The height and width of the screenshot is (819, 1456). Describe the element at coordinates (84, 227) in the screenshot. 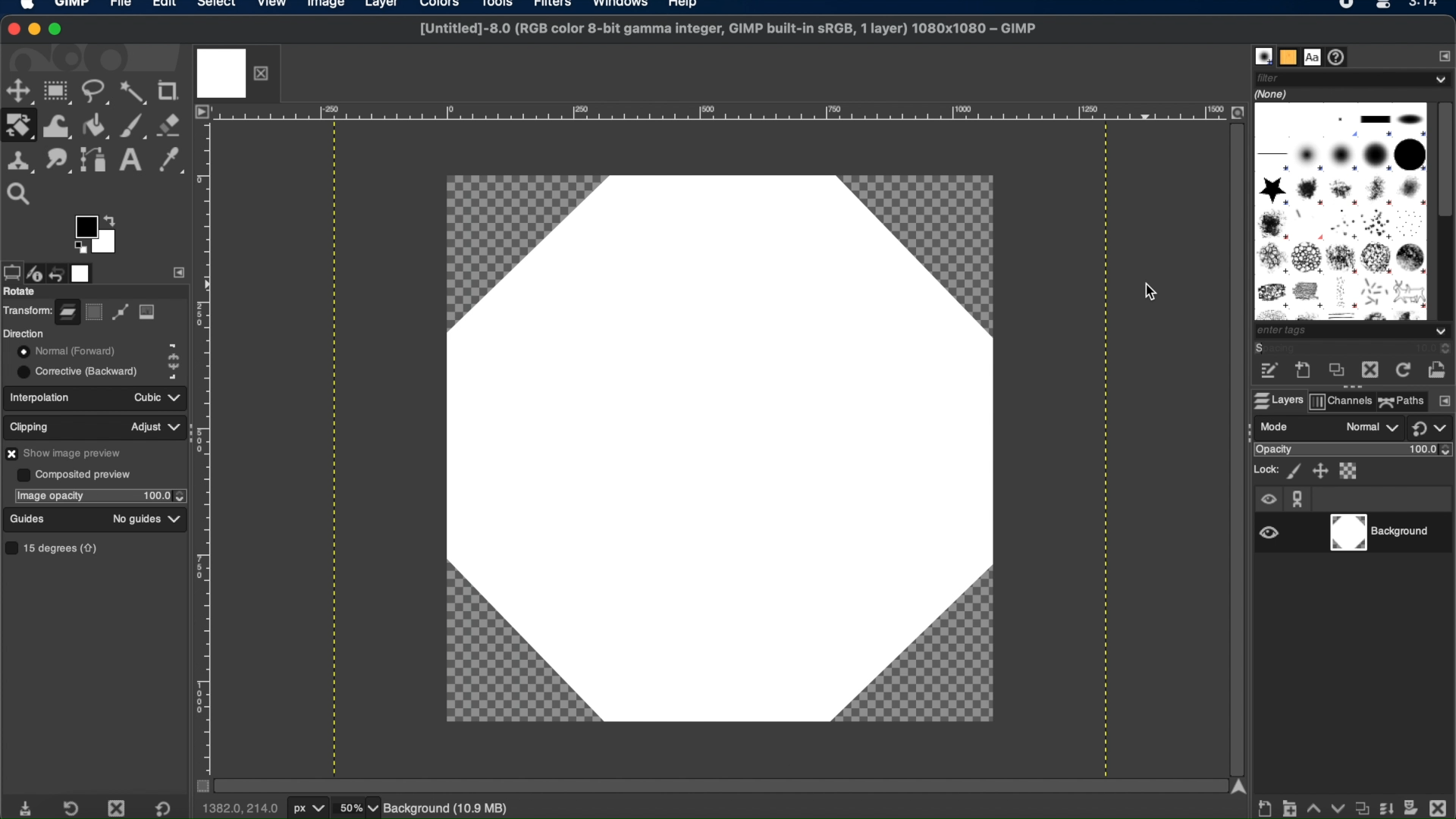

I see `active foreground color` at that location.